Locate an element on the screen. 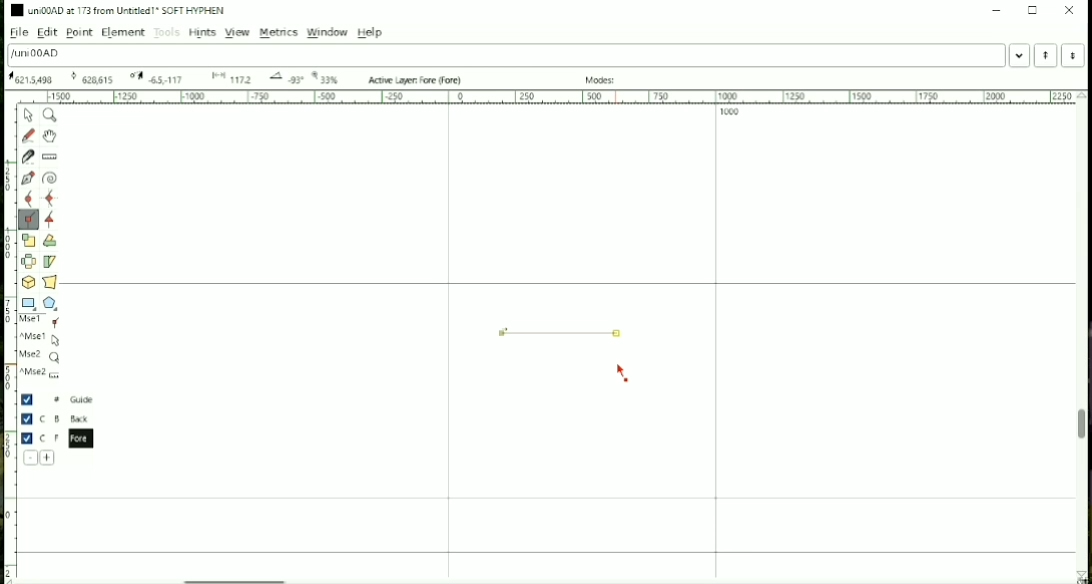  Back is located at coordinates (58, 418).